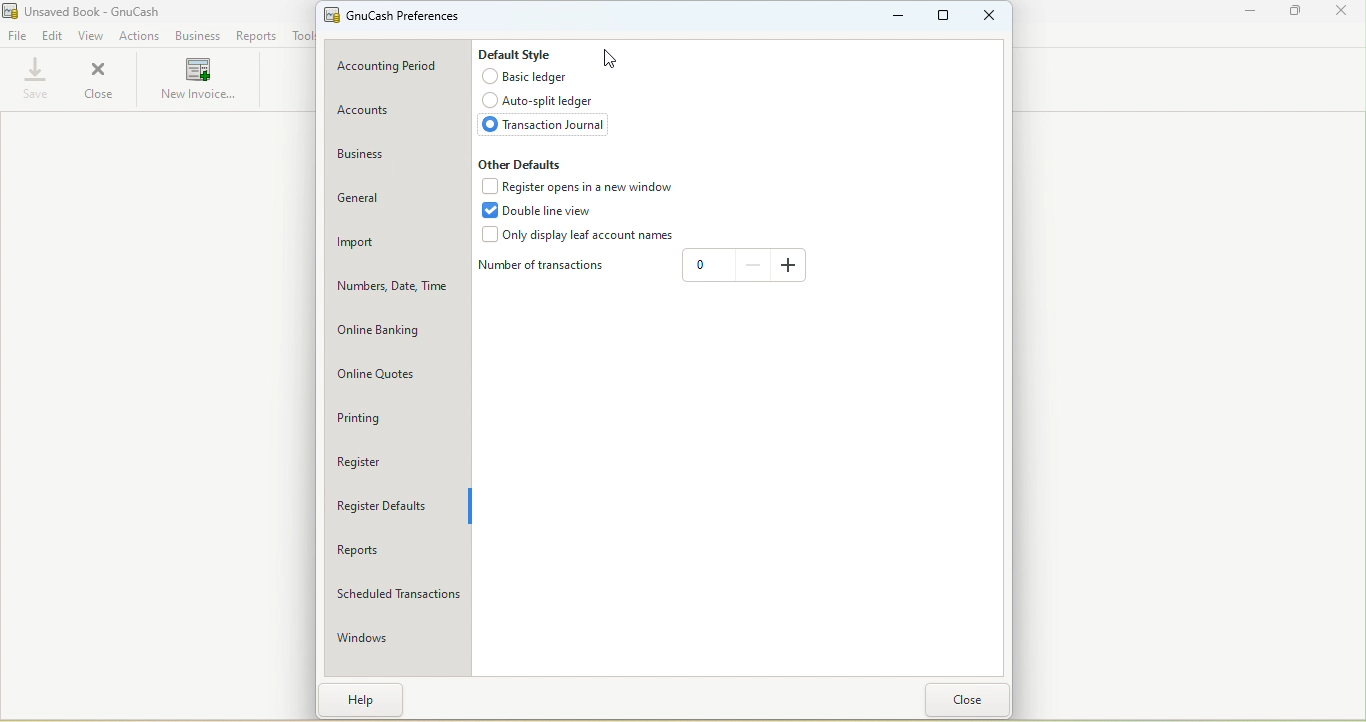 This screenshot has height=722, width=1366. Describe the element at coordinates (396, 598) in the screenshot. I see `Scheduled transactions` at that location.